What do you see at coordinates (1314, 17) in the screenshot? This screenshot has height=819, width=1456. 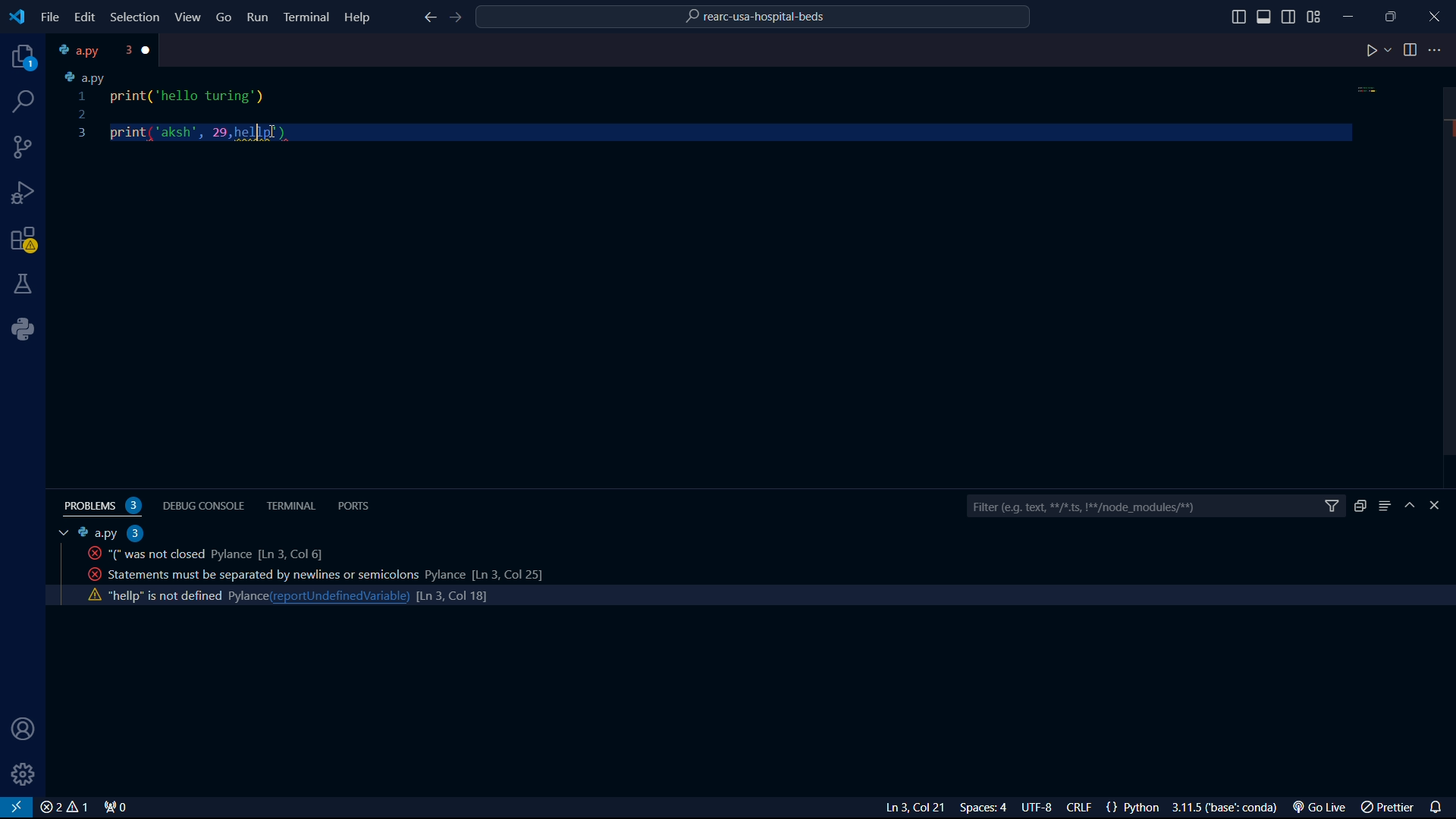 I see `grid view` at bounding box center [1314, 17].